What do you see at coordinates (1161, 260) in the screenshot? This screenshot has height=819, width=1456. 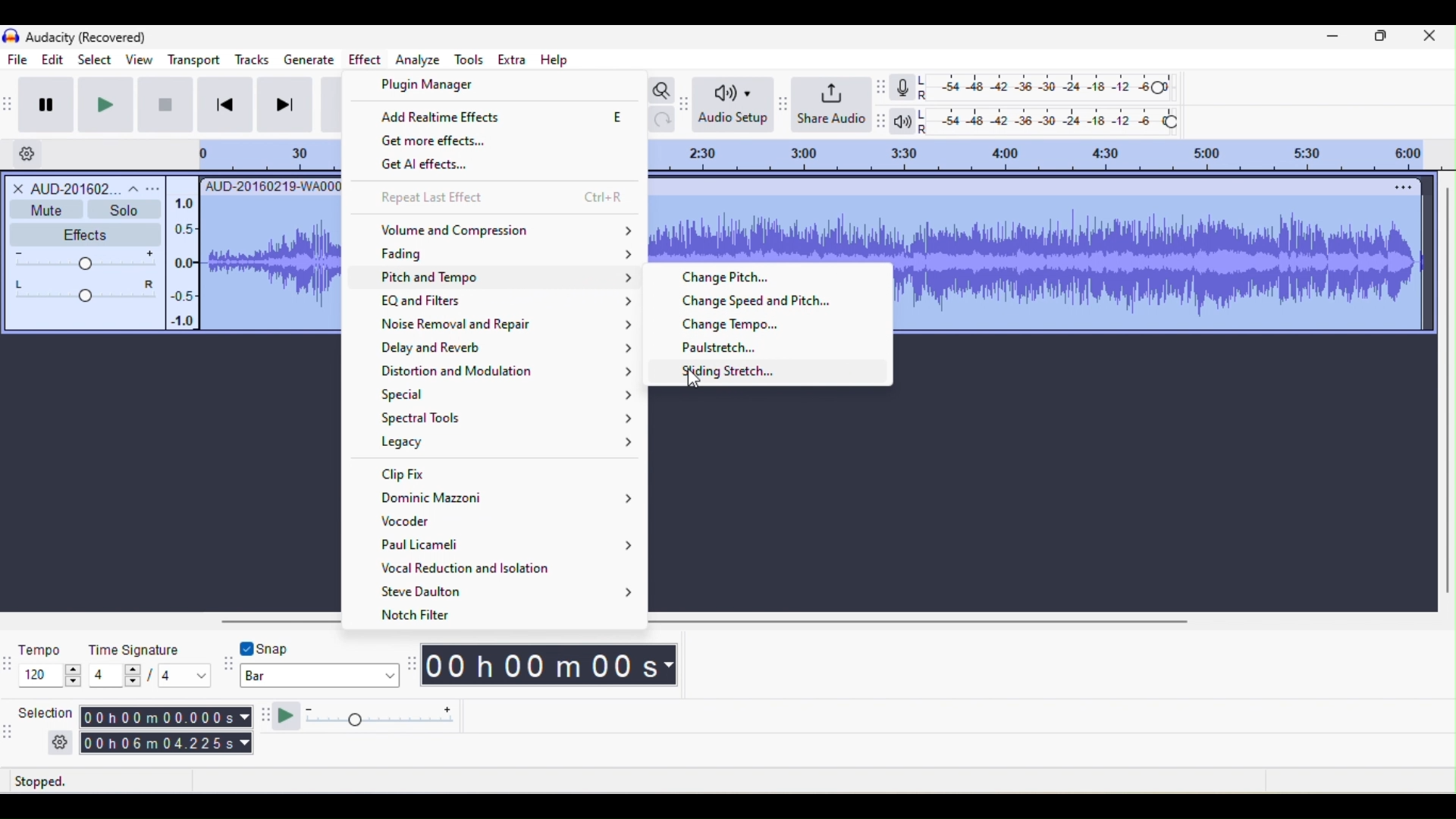 I see `Select waveform` at bounding box center [1161, 260].